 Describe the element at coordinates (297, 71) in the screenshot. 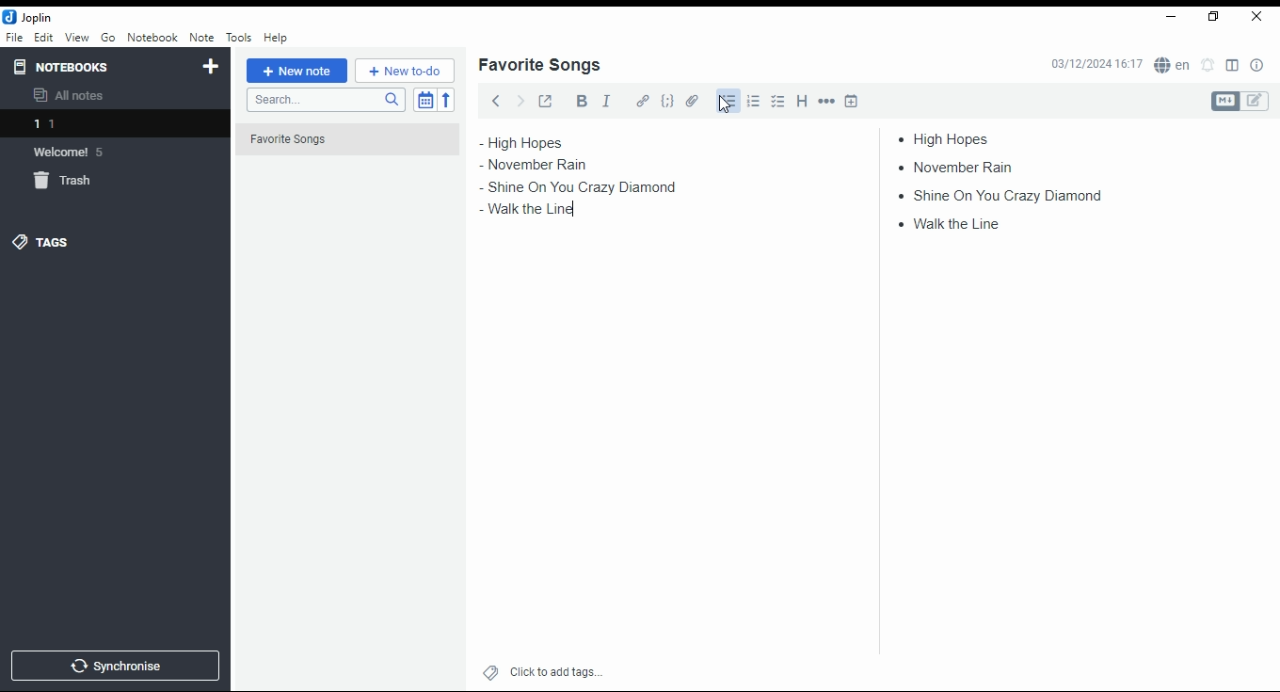

I see `new note` at that location.